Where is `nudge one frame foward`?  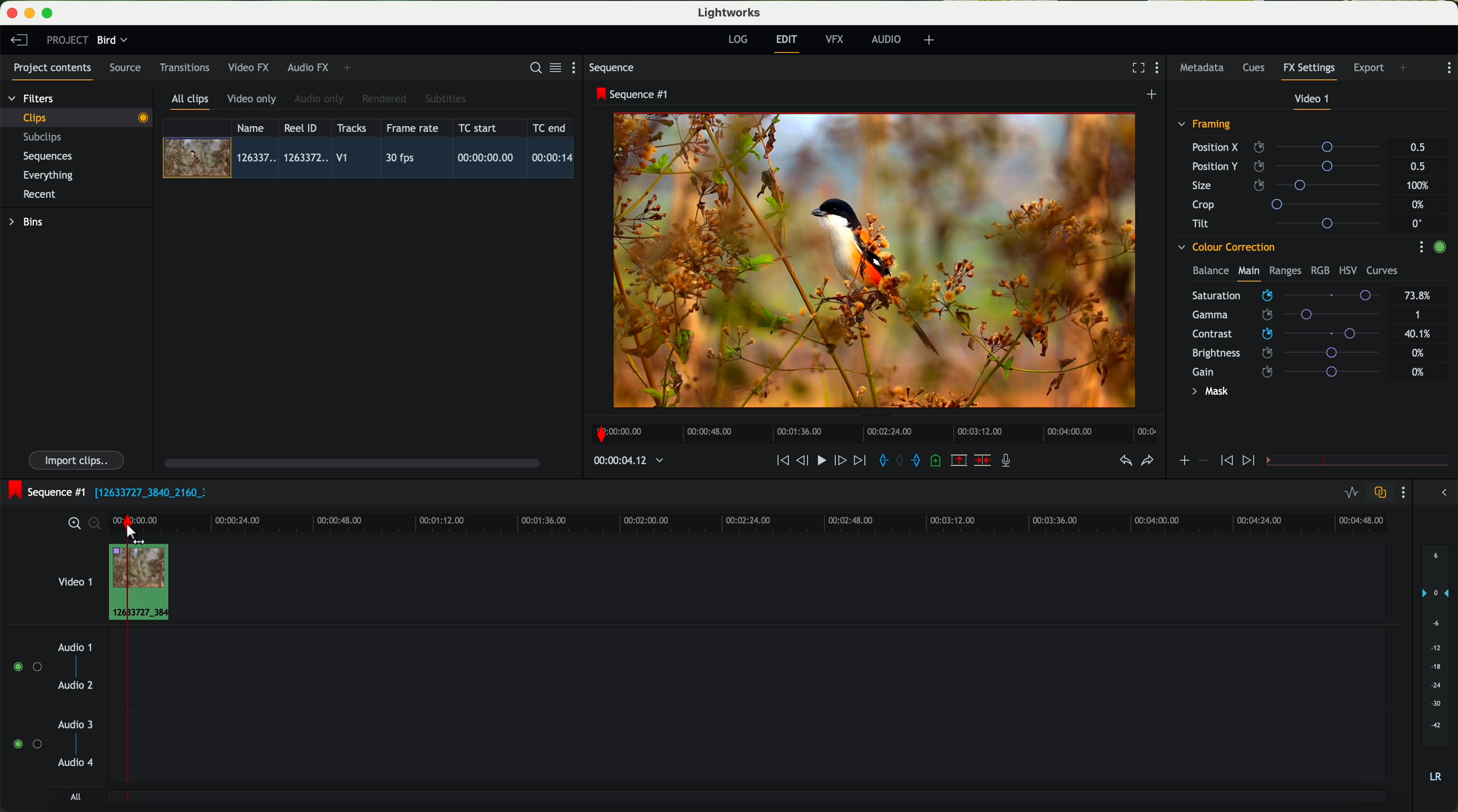 nudge one frame foward is located at coordinates (842, 461).